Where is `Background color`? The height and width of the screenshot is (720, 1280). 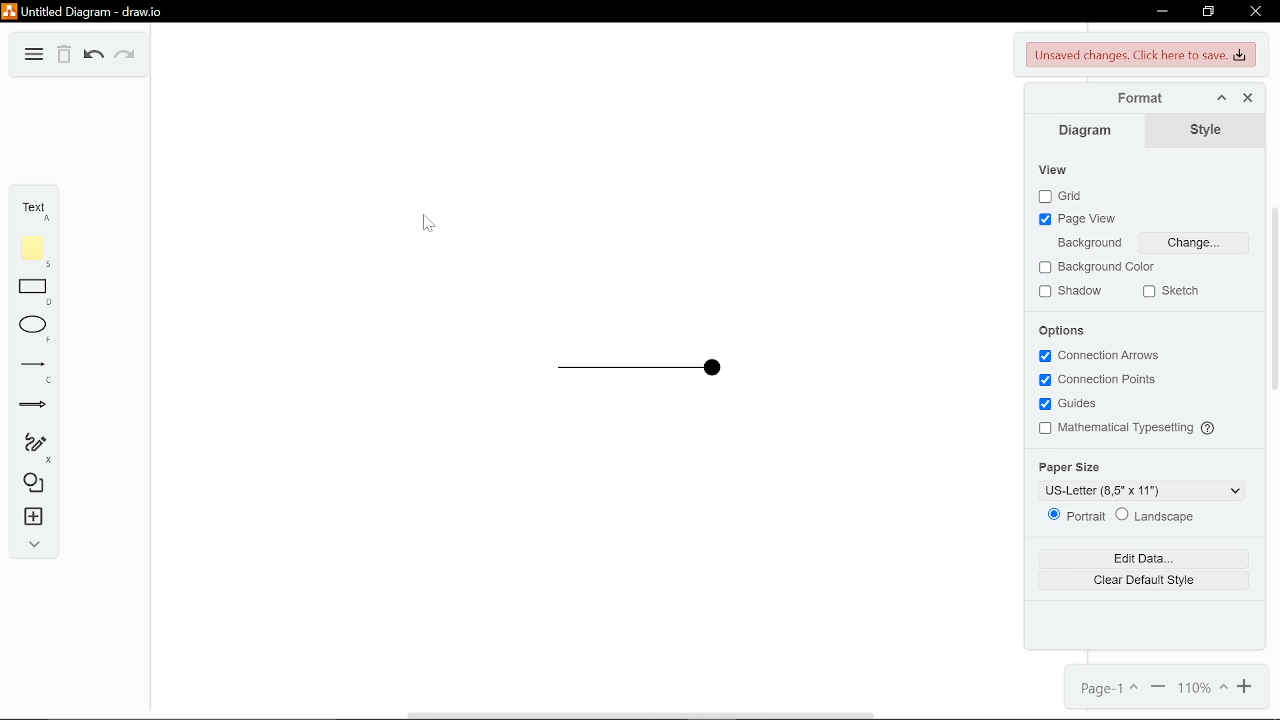
Background color is located at coordinates (1104, 267).